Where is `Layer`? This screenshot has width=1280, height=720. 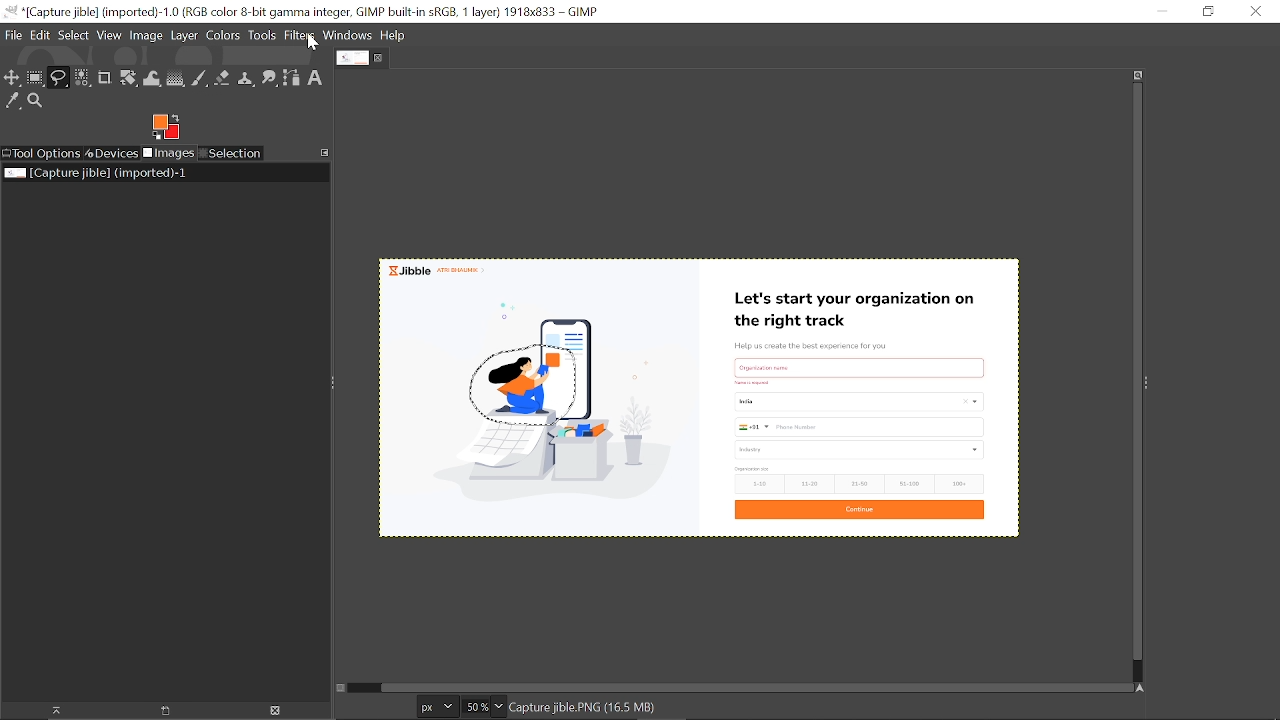 Layer is located at coordinates (184, 37).